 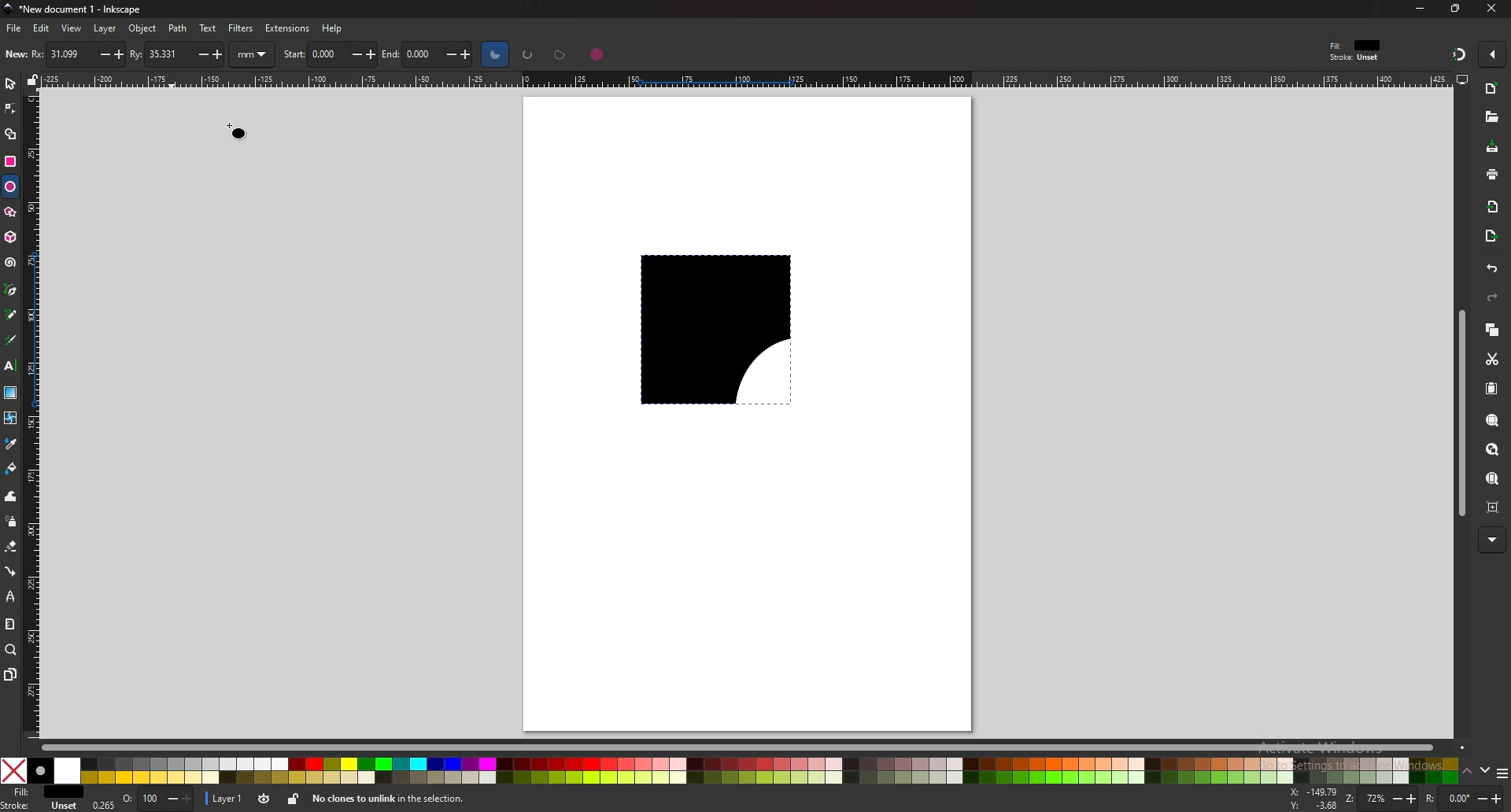 What do you see at coordinates (11, 417) in the screenshot?
I see `mesh` at bounding box center [11, 417].